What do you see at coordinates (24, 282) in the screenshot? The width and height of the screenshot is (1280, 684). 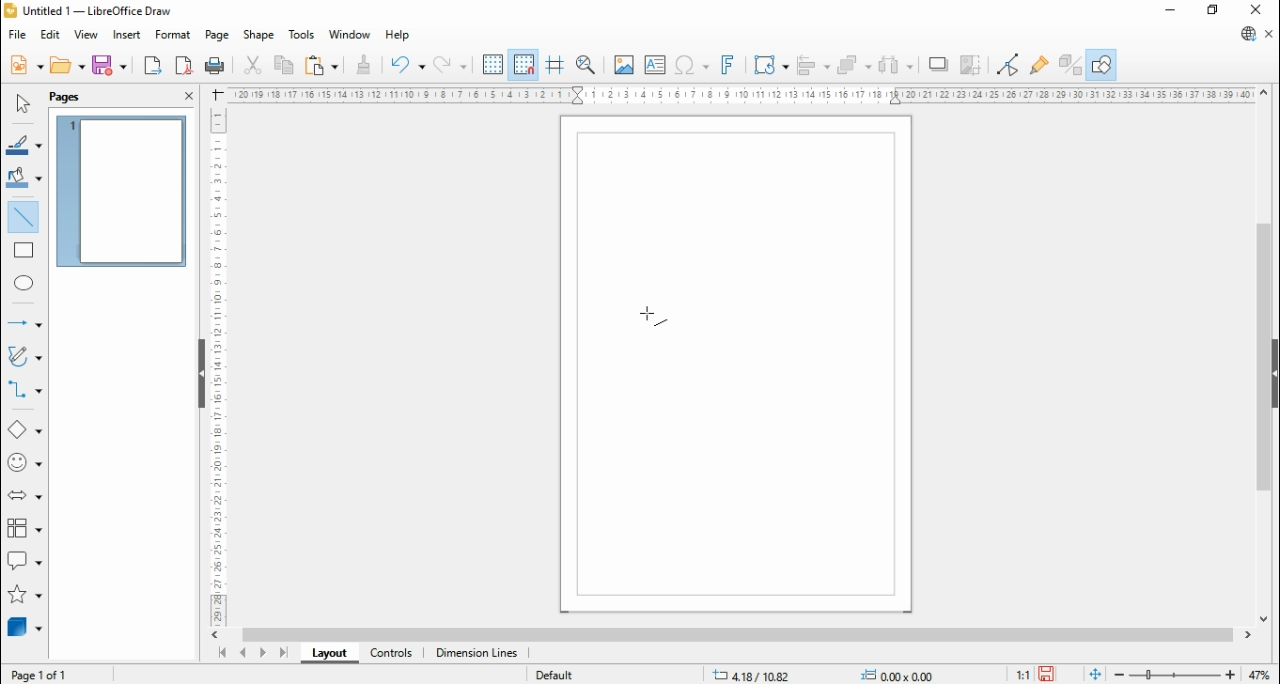 I see `ellipse` at bounding box center [24, 282].